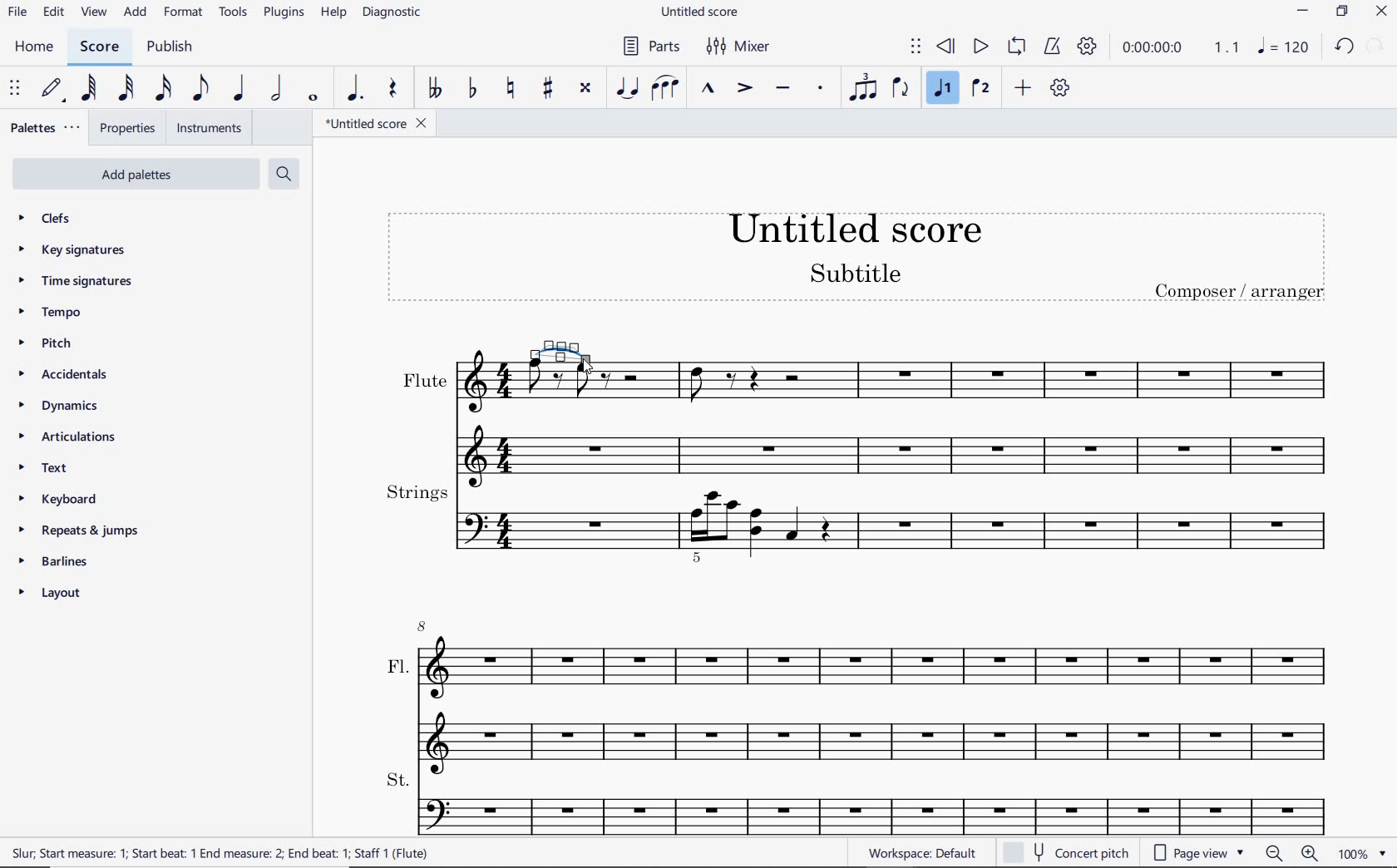 The height and width of the screenshot is (868, 1397). I want to click on edit, so click(54, 13).